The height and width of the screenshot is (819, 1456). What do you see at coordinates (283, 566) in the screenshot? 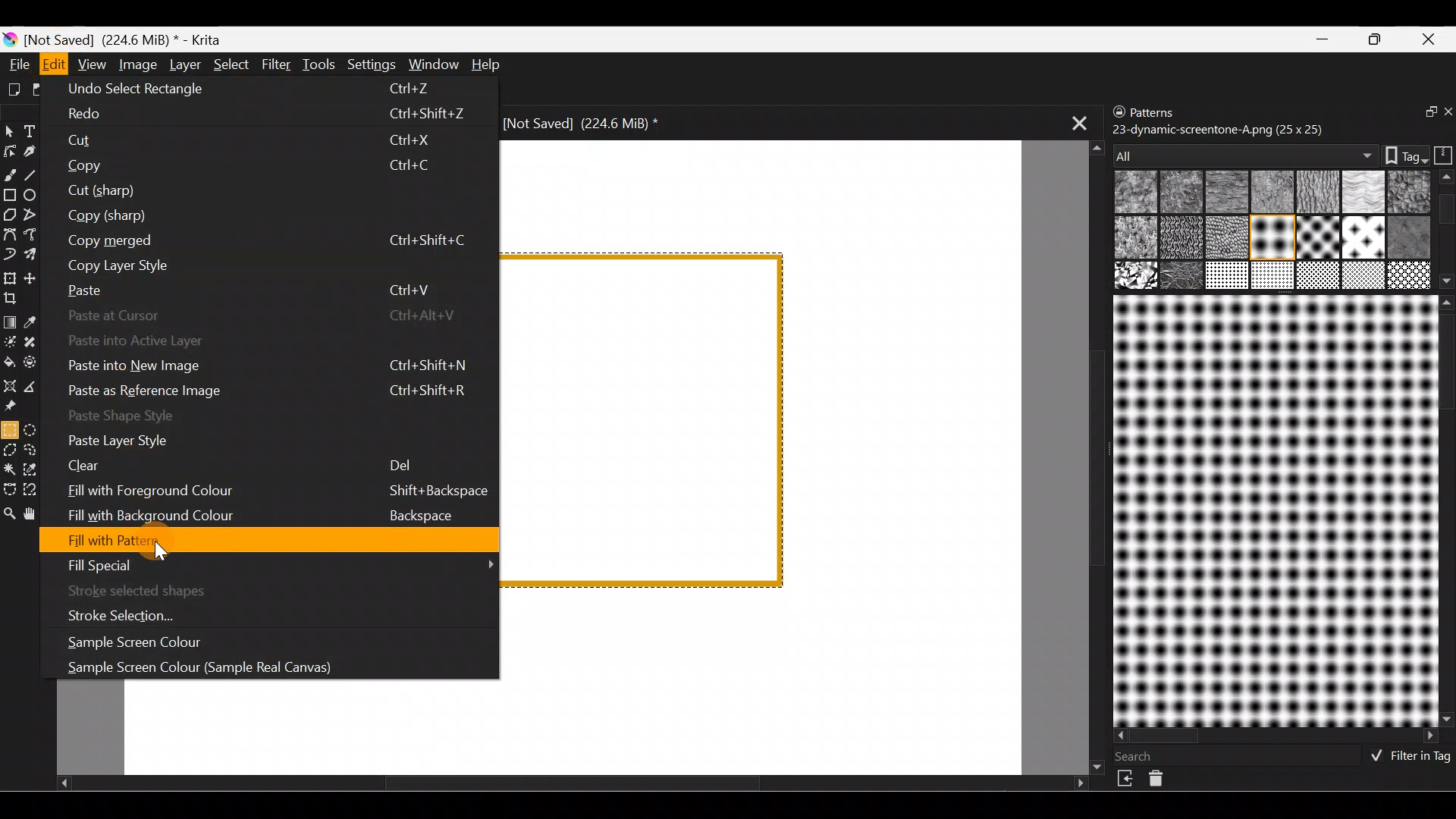
I see `Fill special` at bounding box center [283, 566].